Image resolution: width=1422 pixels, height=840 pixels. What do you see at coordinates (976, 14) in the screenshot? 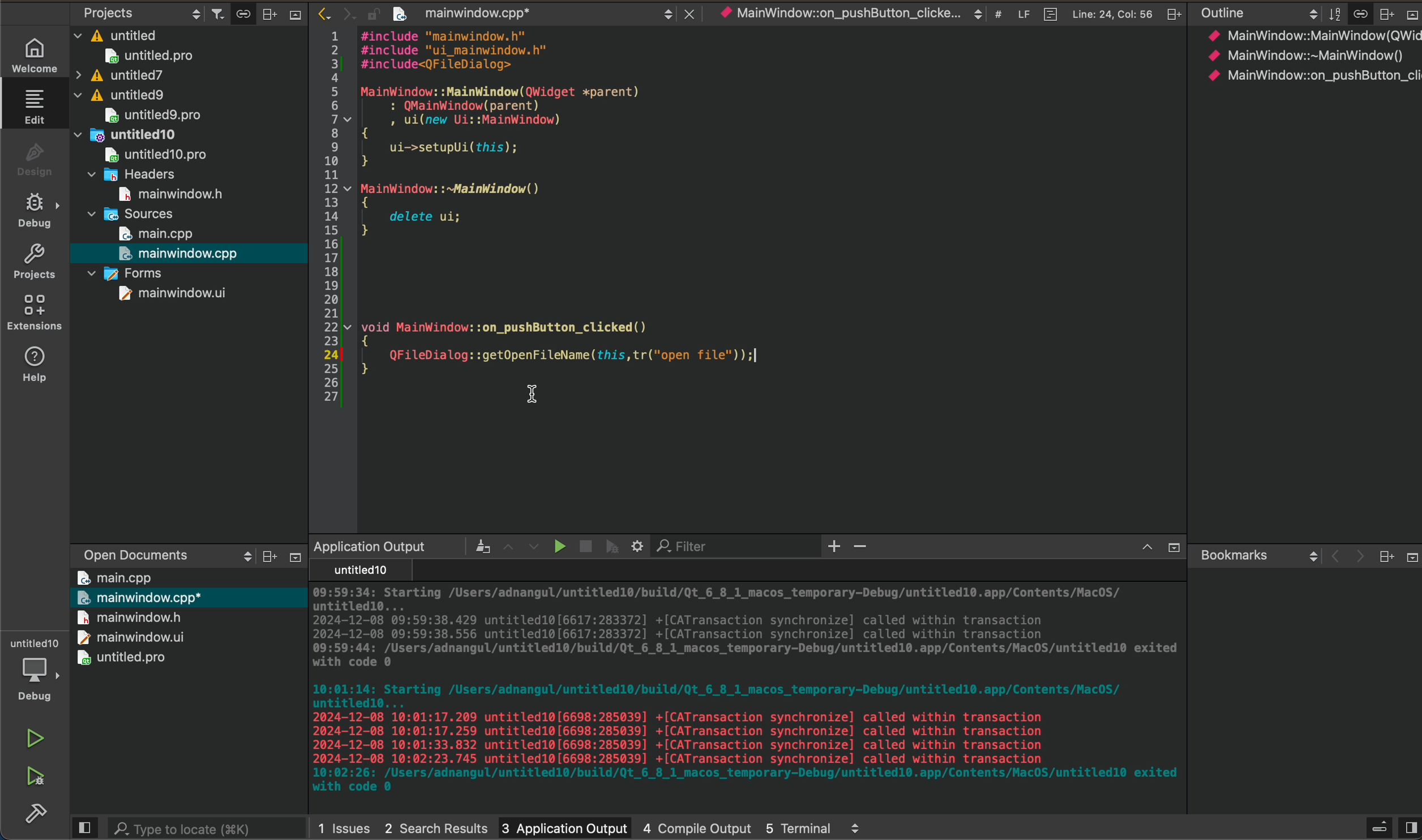
I see `Scroll` at bounding box center [976, 14].